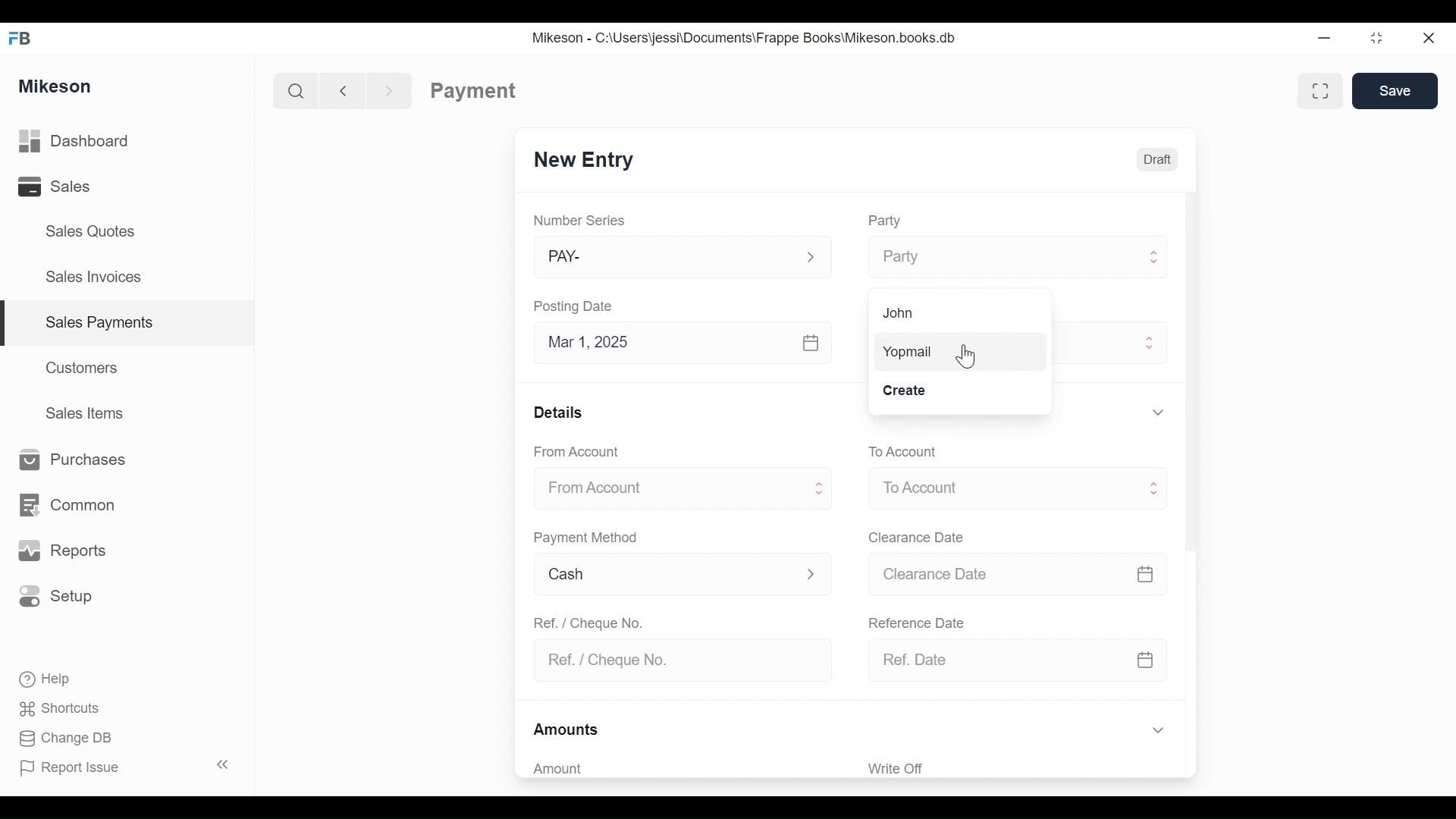 The height and width of the screenshot is (819, 1456). What do you see at coordinates (595, 622) in the screenshot?
I see `Ref. / Cheque No.` at bounding box center [595, 622].